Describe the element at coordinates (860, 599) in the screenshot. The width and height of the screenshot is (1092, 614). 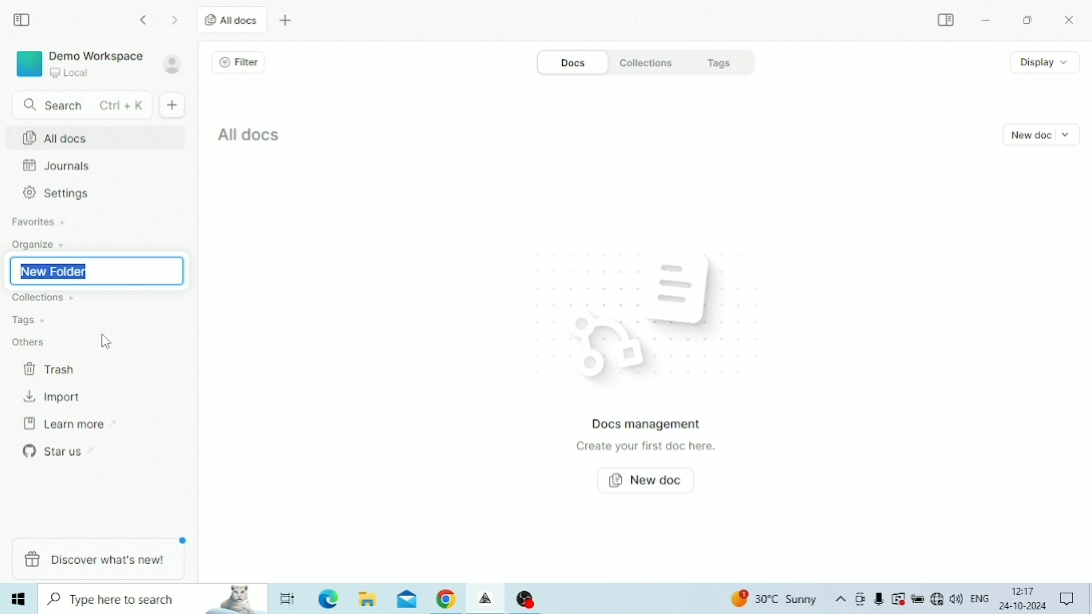
I see `Meet Now` at that location.